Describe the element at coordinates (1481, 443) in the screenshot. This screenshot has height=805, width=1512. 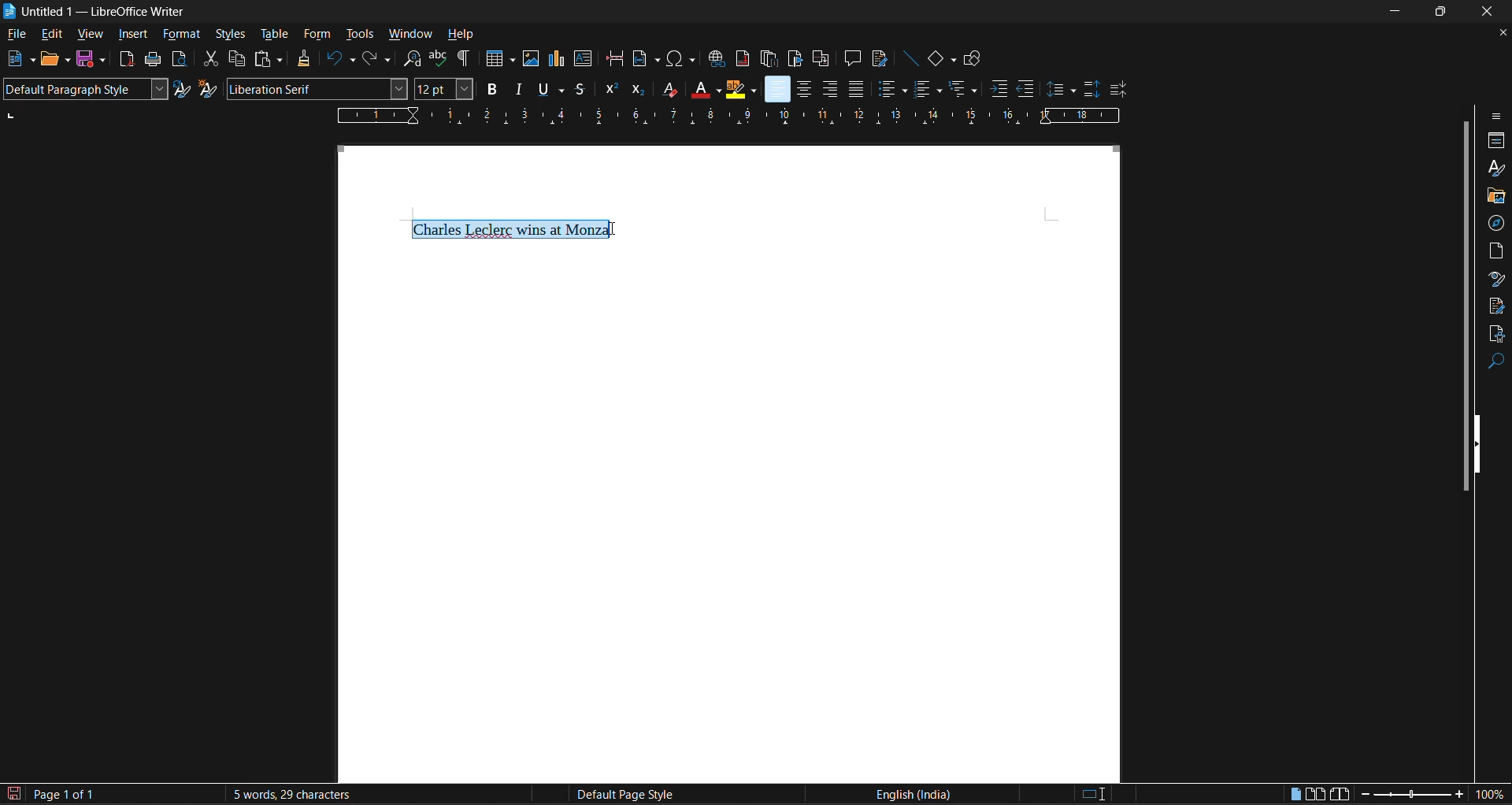
I see `hide` at that location.